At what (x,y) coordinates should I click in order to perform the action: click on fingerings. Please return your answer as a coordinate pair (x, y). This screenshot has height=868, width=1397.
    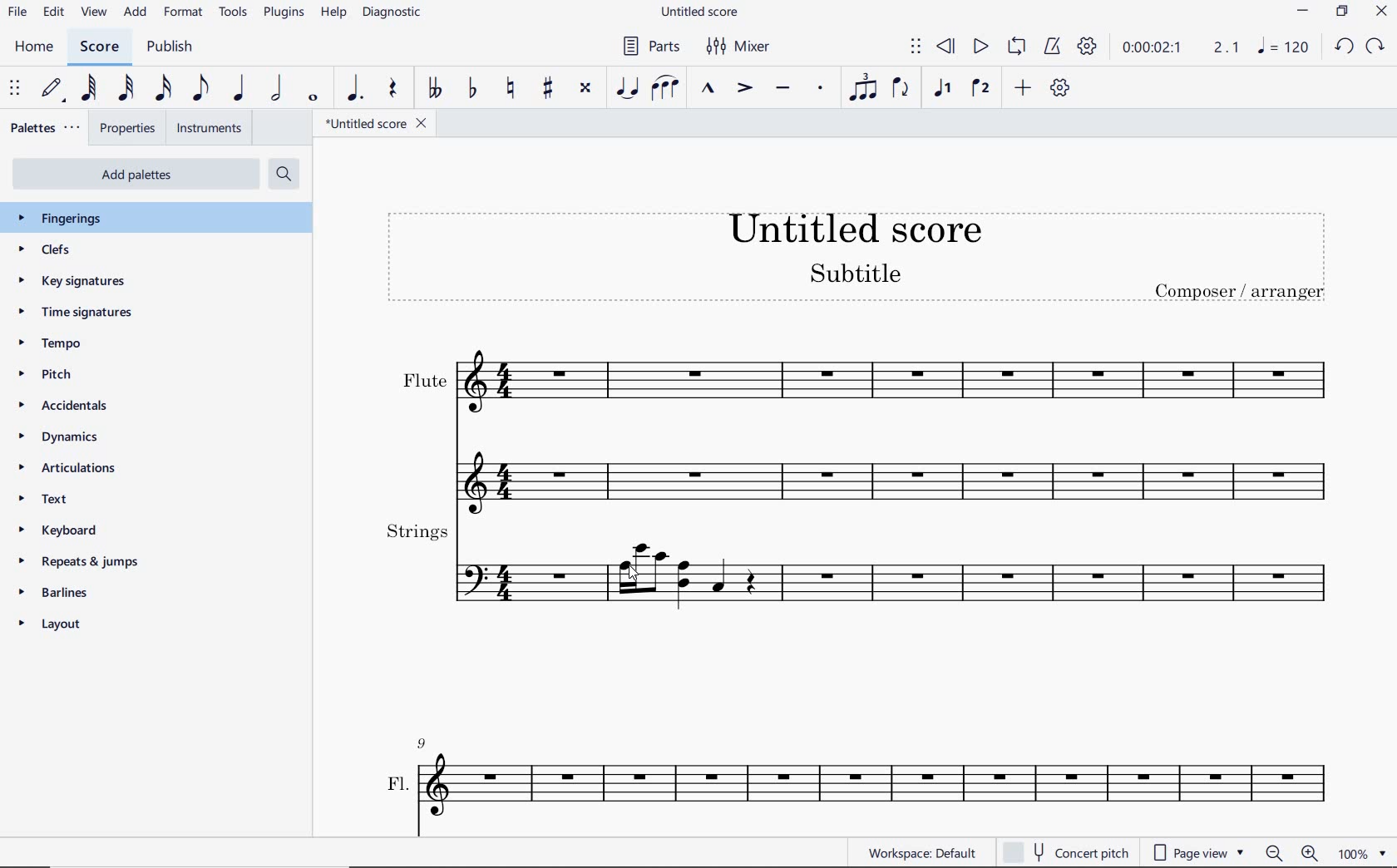
    Looking at the image, I should click on (67, 220).